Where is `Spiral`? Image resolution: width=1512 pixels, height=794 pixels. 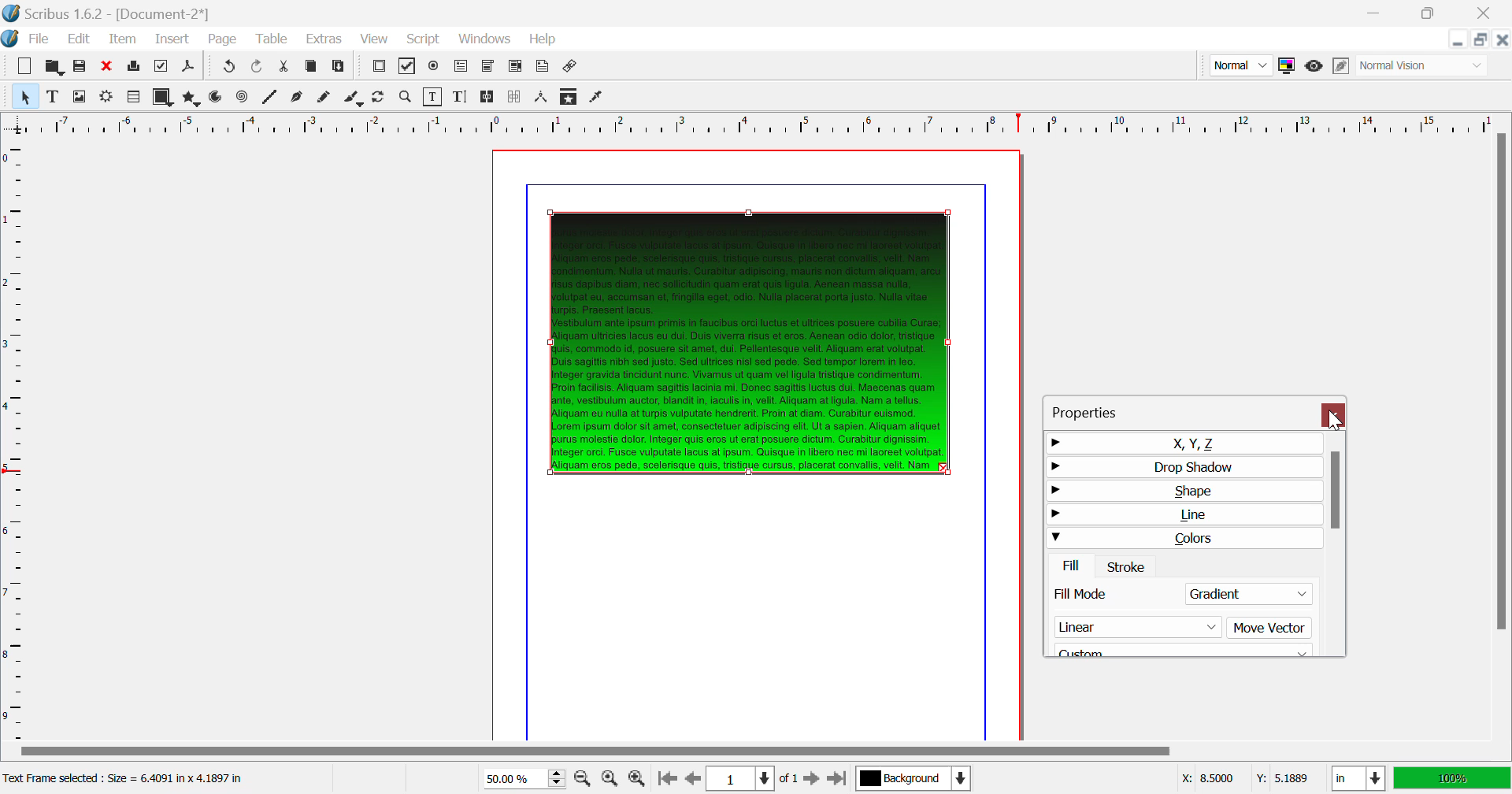 Spiral is located at coordinates (242, 98).